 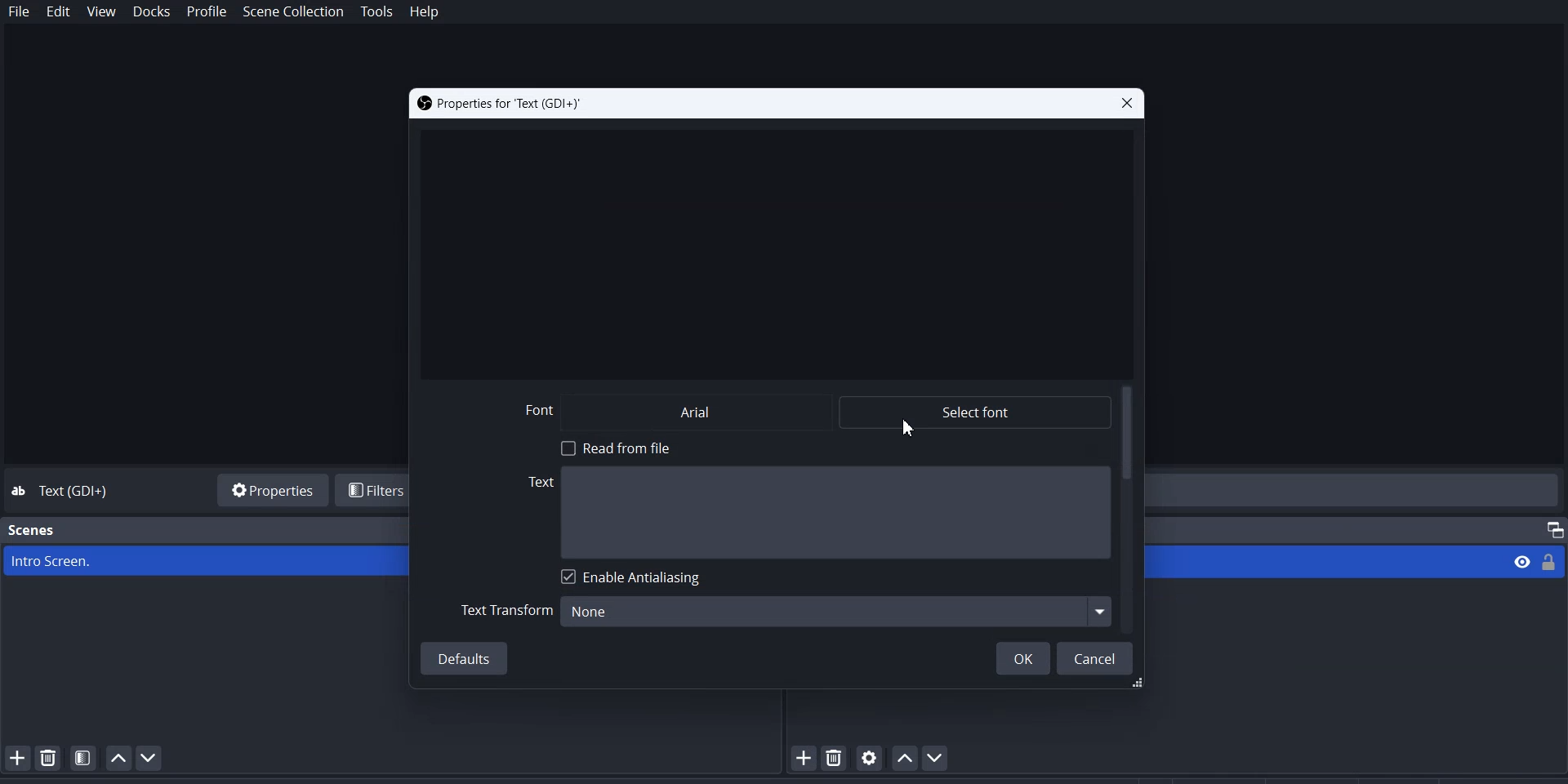 I want to click on Move Source Up, so click(x=903, y=757).